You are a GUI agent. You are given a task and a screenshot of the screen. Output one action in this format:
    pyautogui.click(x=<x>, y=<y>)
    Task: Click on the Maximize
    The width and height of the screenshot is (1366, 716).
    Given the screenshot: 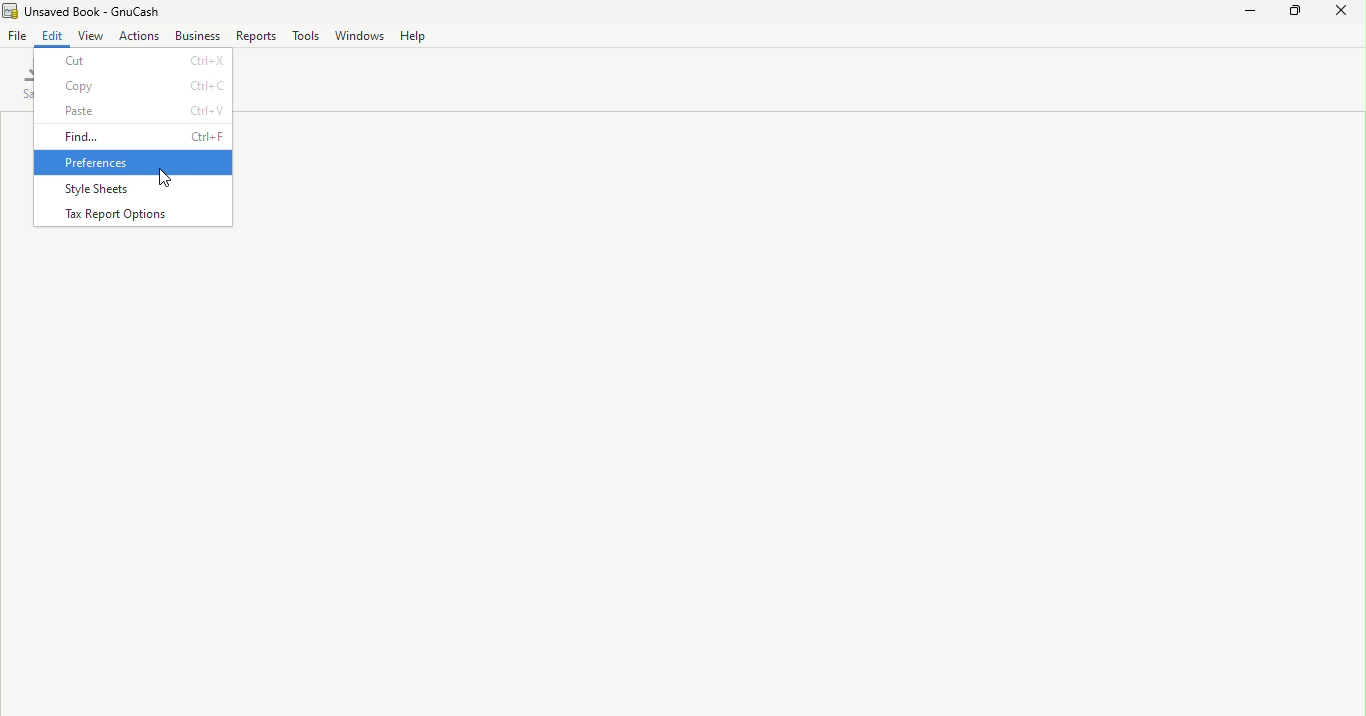 What is the action you would take?
    pyautogui.click(x=1301, y=13)
    